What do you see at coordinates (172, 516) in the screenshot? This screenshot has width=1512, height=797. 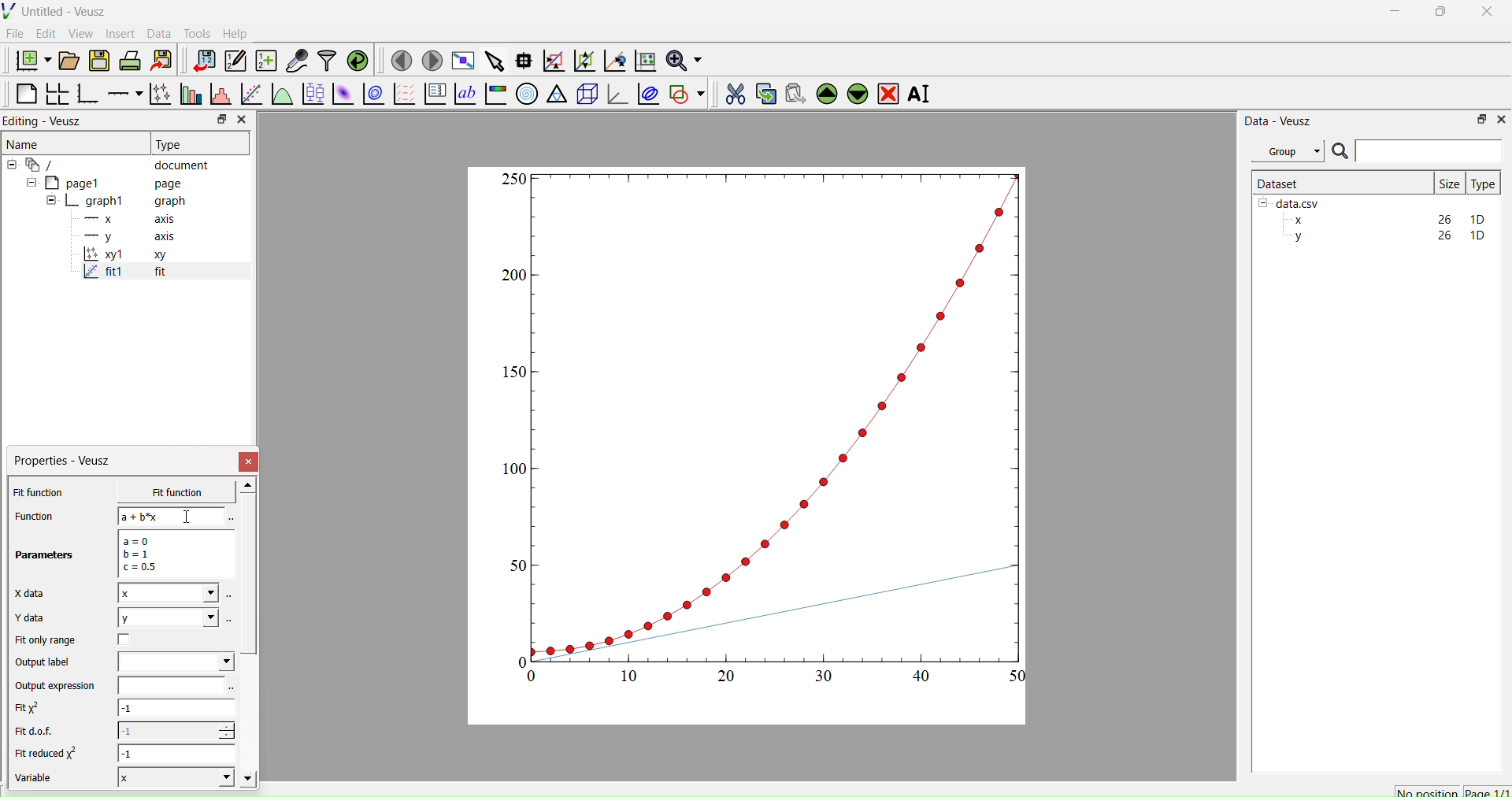 I see `a+b*x` at bounding box center [172, 516].